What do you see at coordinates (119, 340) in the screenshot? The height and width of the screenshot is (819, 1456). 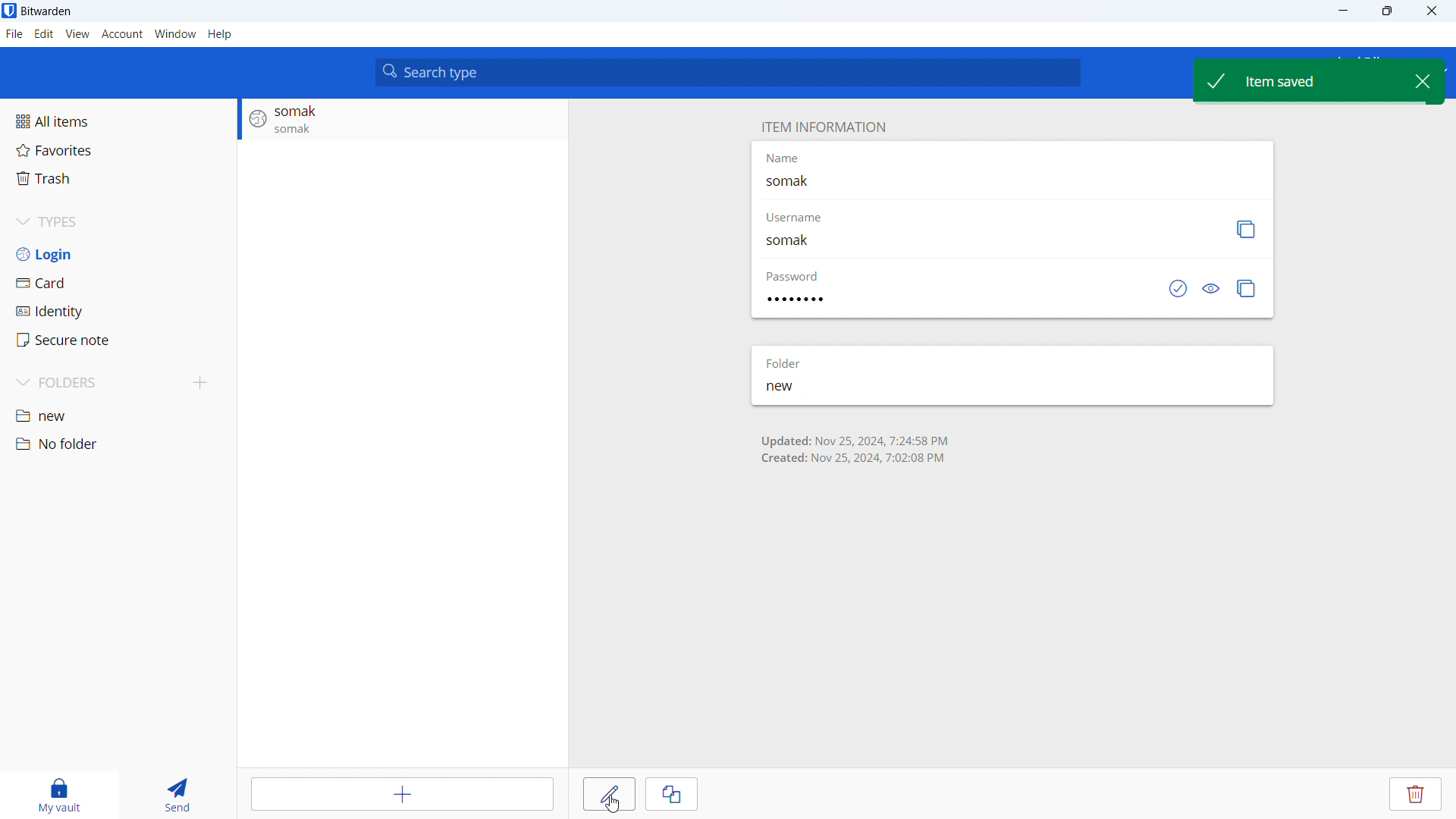 I see `secure note` at bounding box center [119, 340].